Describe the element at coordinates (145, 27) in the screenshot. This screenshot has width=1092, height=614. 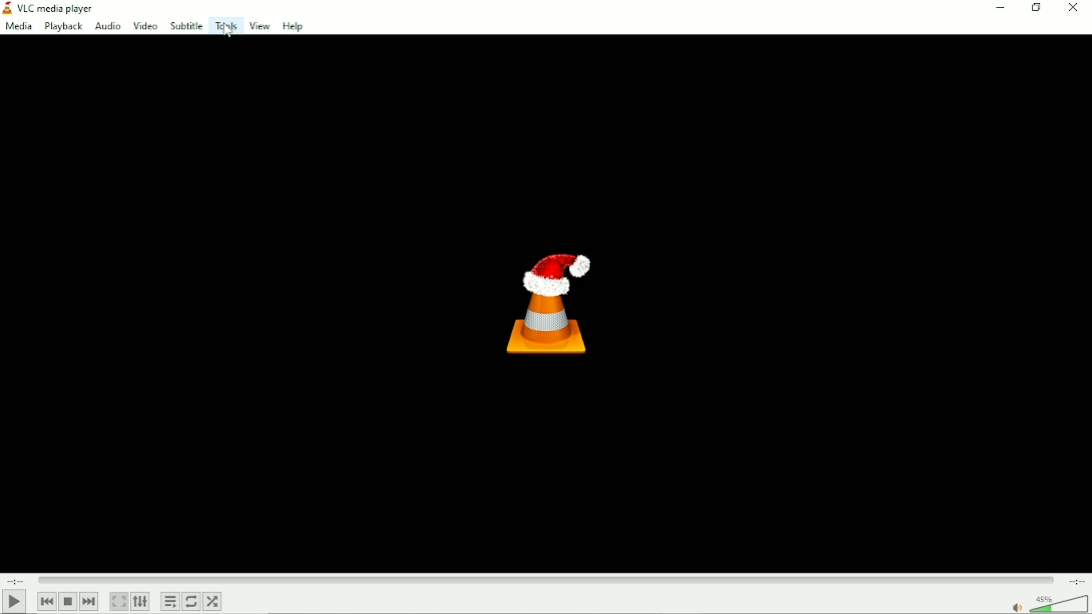
I see `Video` at that location.